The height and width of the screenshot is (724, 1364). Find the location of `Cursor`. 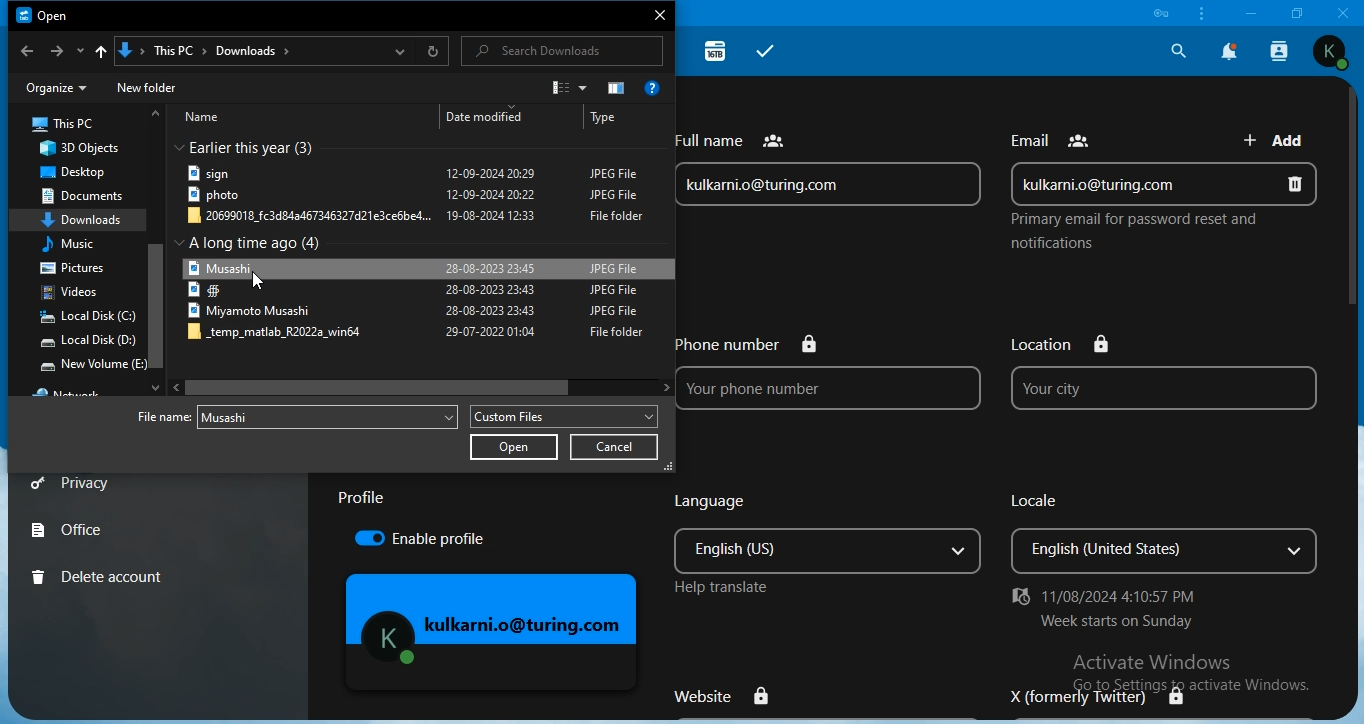

Cursor is located at coordinates (263, 279).